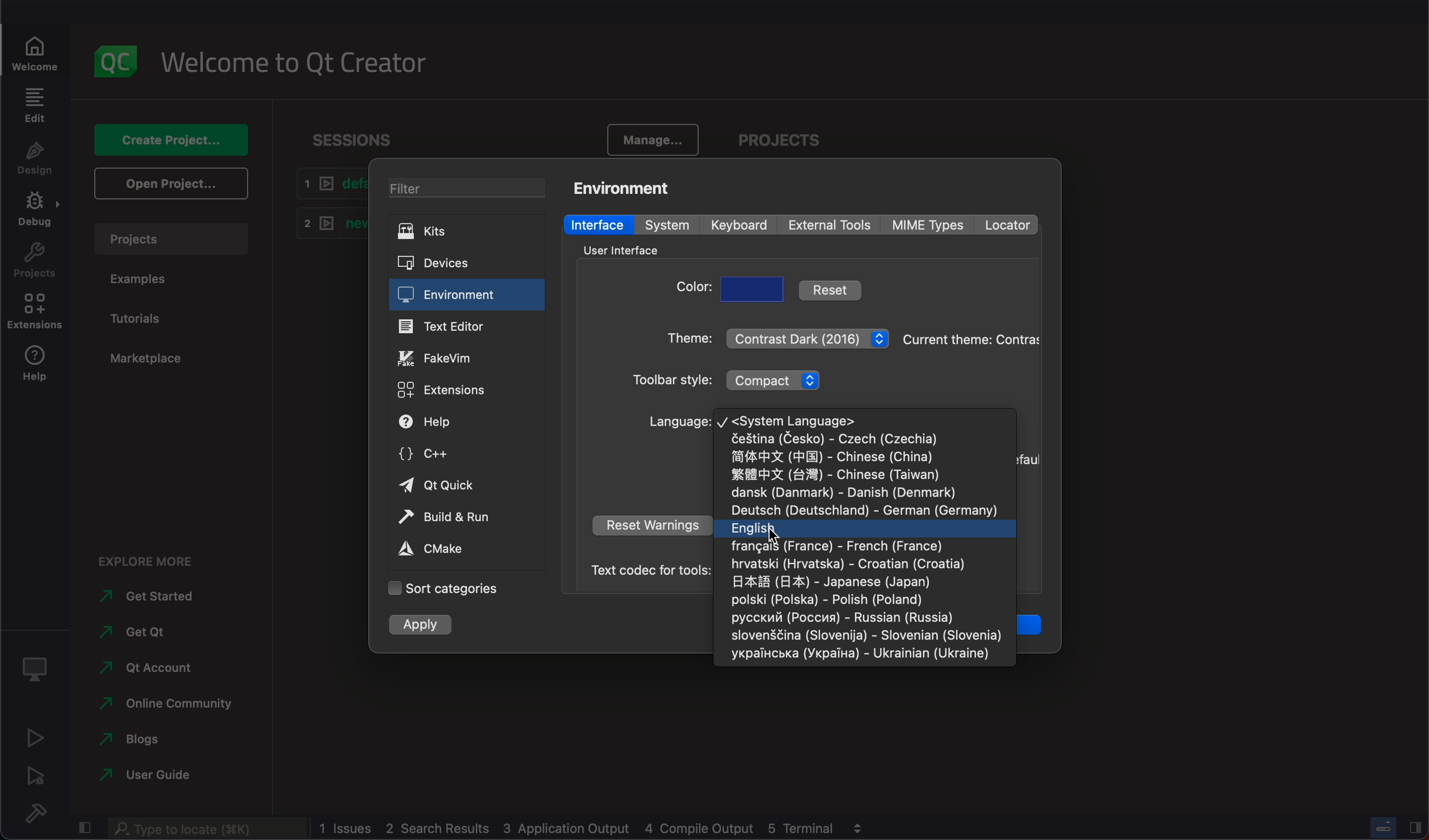 Image resolution: width=1429 pixels, height=840 pixels. I want to click on online, so click(160, 705).